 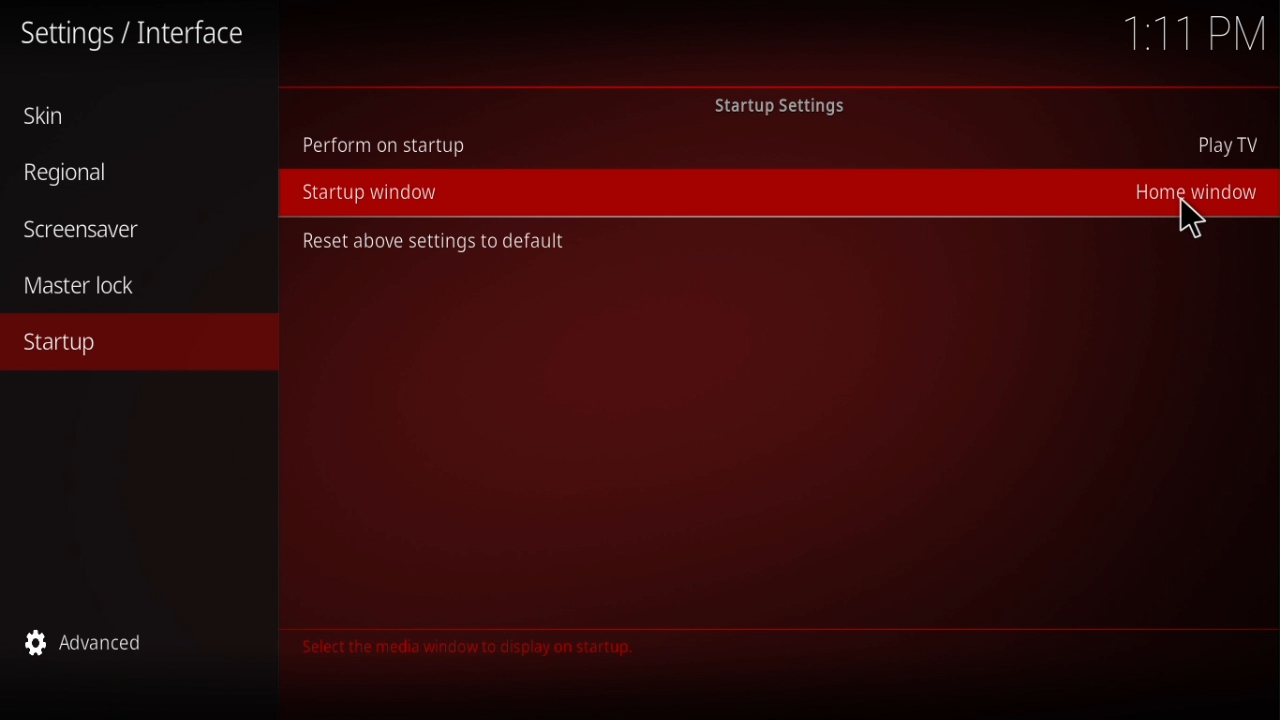 I want to click on master lock, so click(x=92, y=287).